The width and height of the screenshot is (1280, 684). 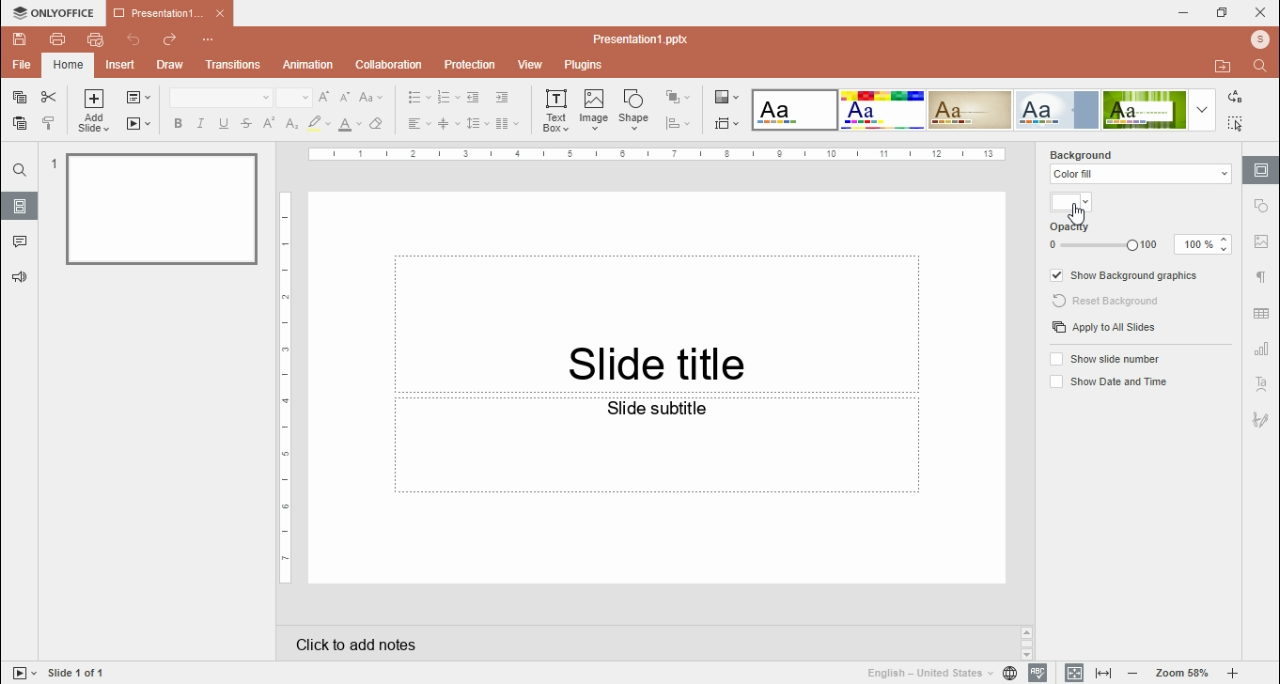 What do you see at coordinates (1037, 673) in the screenshot?
I see `spell check` at bounding box center [1037, 673].